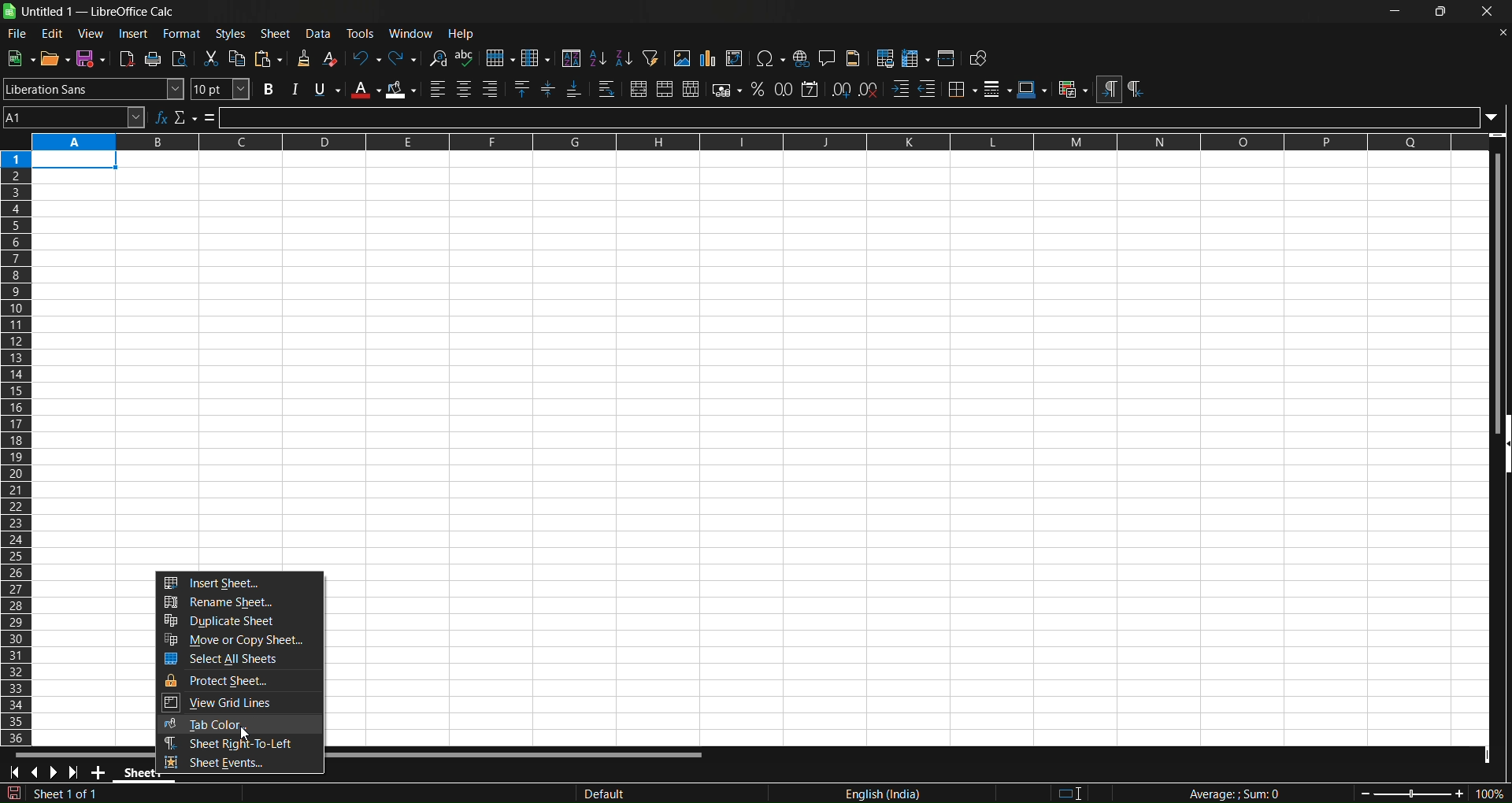 Image resolution: width=1512 pixels, height=803 pixels. Describe the element at coordinates (238, 763) in the screenshot. I see `sheet events` at that location.